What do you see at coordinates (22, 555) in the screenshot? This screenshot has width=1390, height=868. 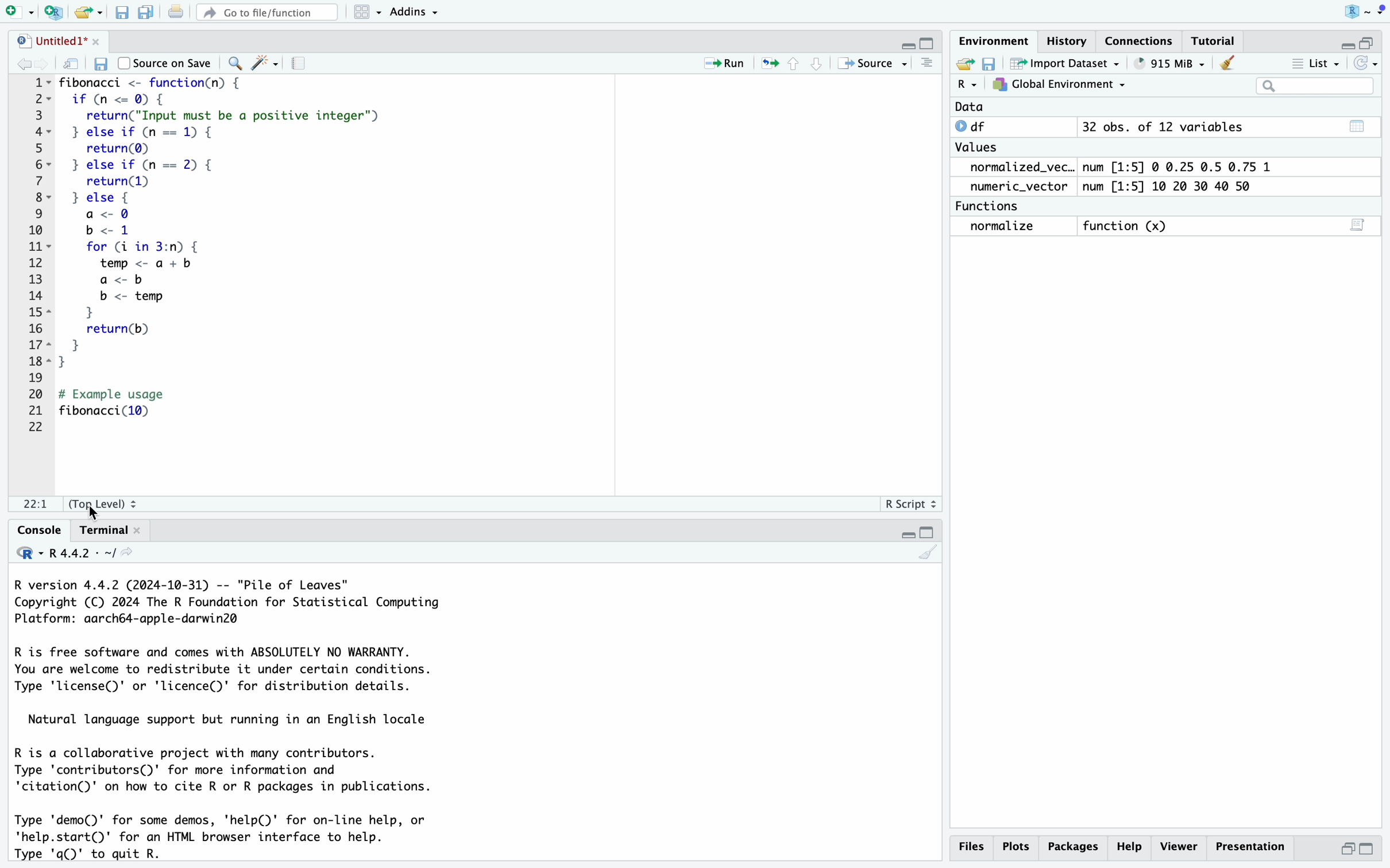 I see `select language` at bounding box center [22, 555].